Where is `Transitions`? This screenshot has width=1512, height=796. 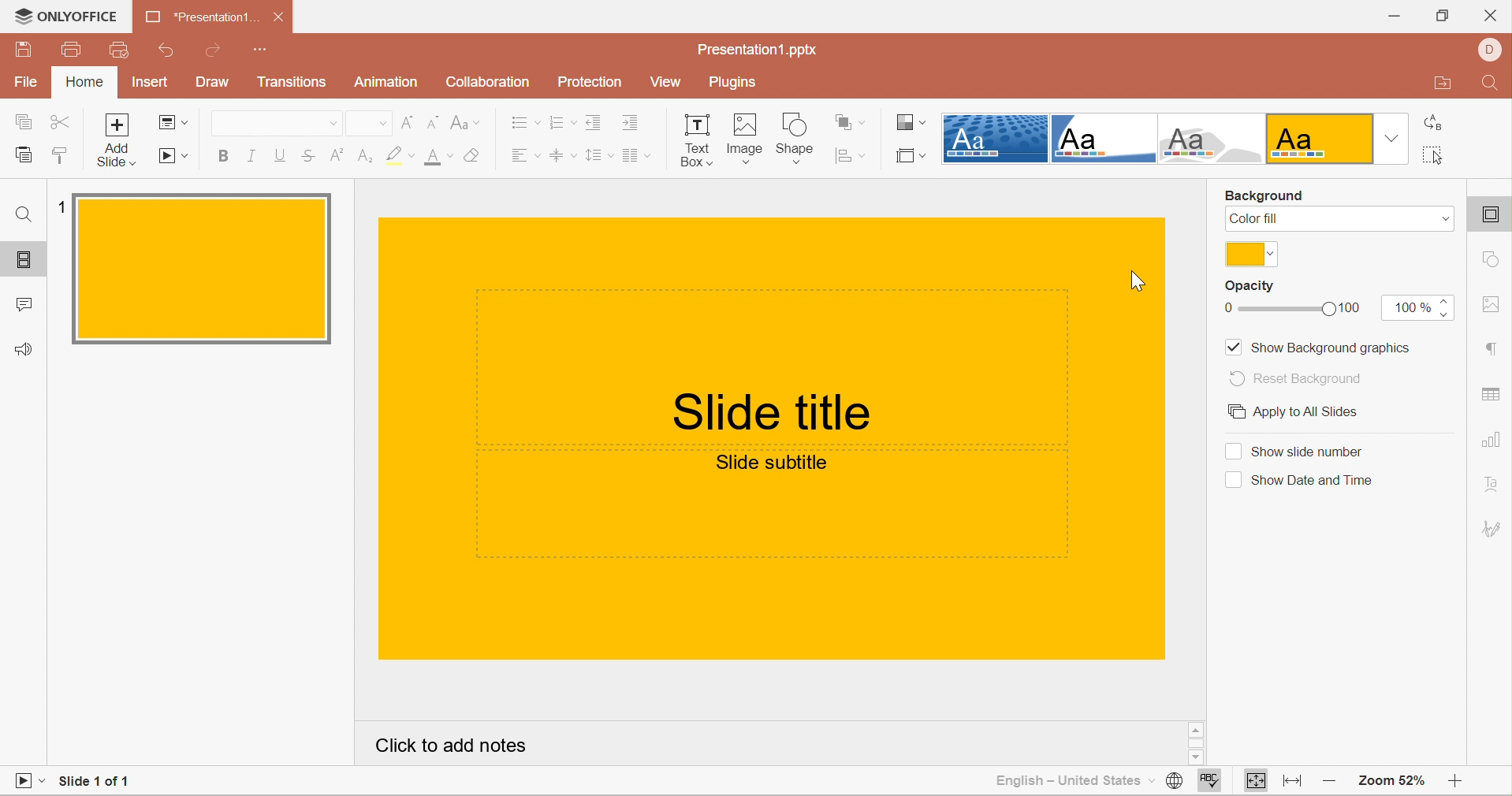 Transitions is located at coordinates (291, 85).